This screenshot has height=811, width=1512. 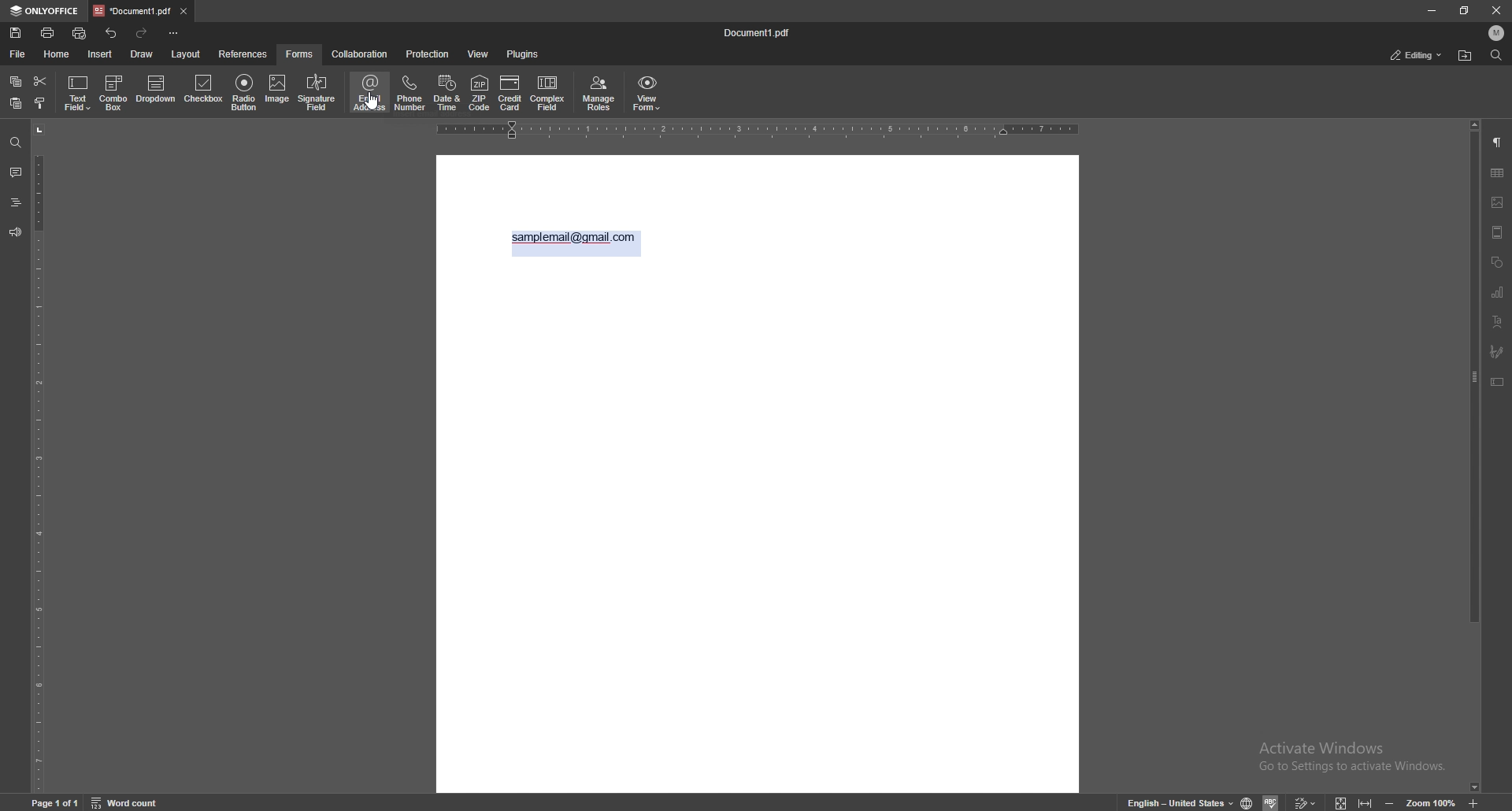 I want to click on chart, so click(x=1499, y=293).